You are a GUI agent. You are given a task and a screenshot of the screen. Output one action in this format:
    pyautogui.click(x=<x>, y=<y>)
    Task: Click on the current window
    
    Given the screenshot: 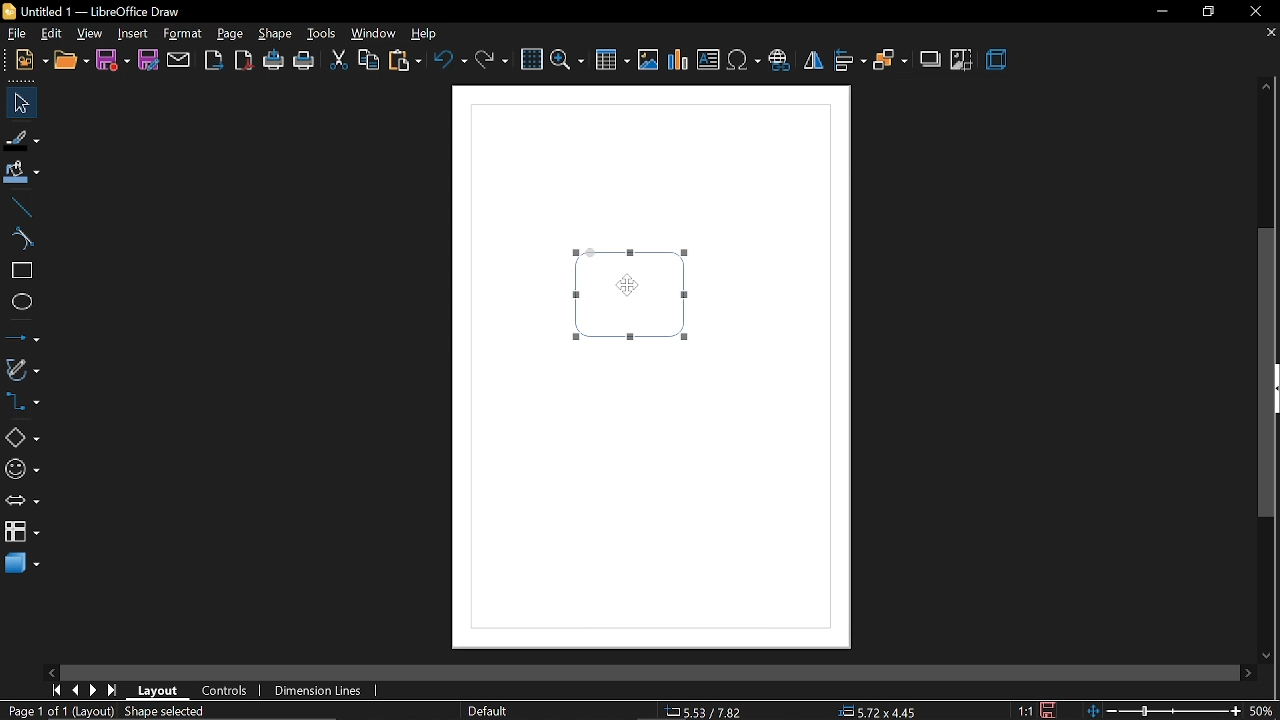 What is the action you would take?
    pyautogui.click(x=90, y=10)
    